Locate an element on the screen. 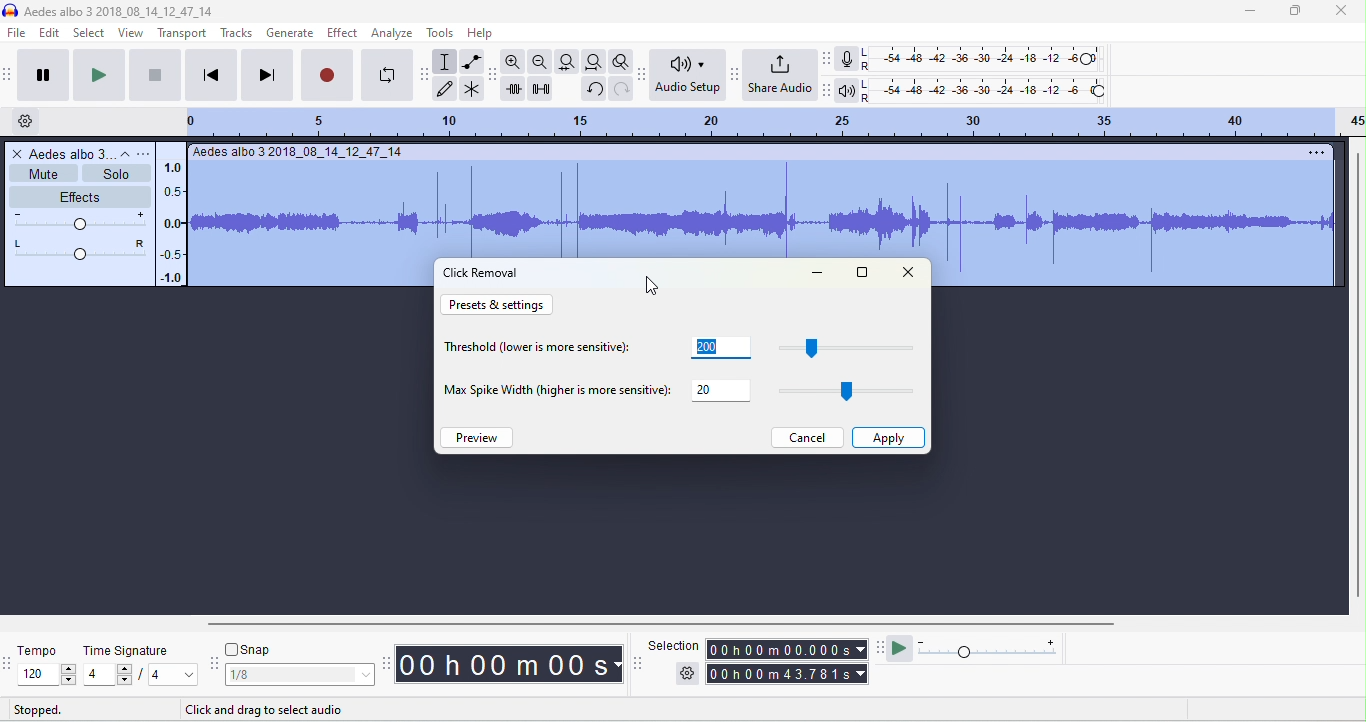 The width and height of the screenshot is (1366, 722). minimize is located at coordinates (818, 273).